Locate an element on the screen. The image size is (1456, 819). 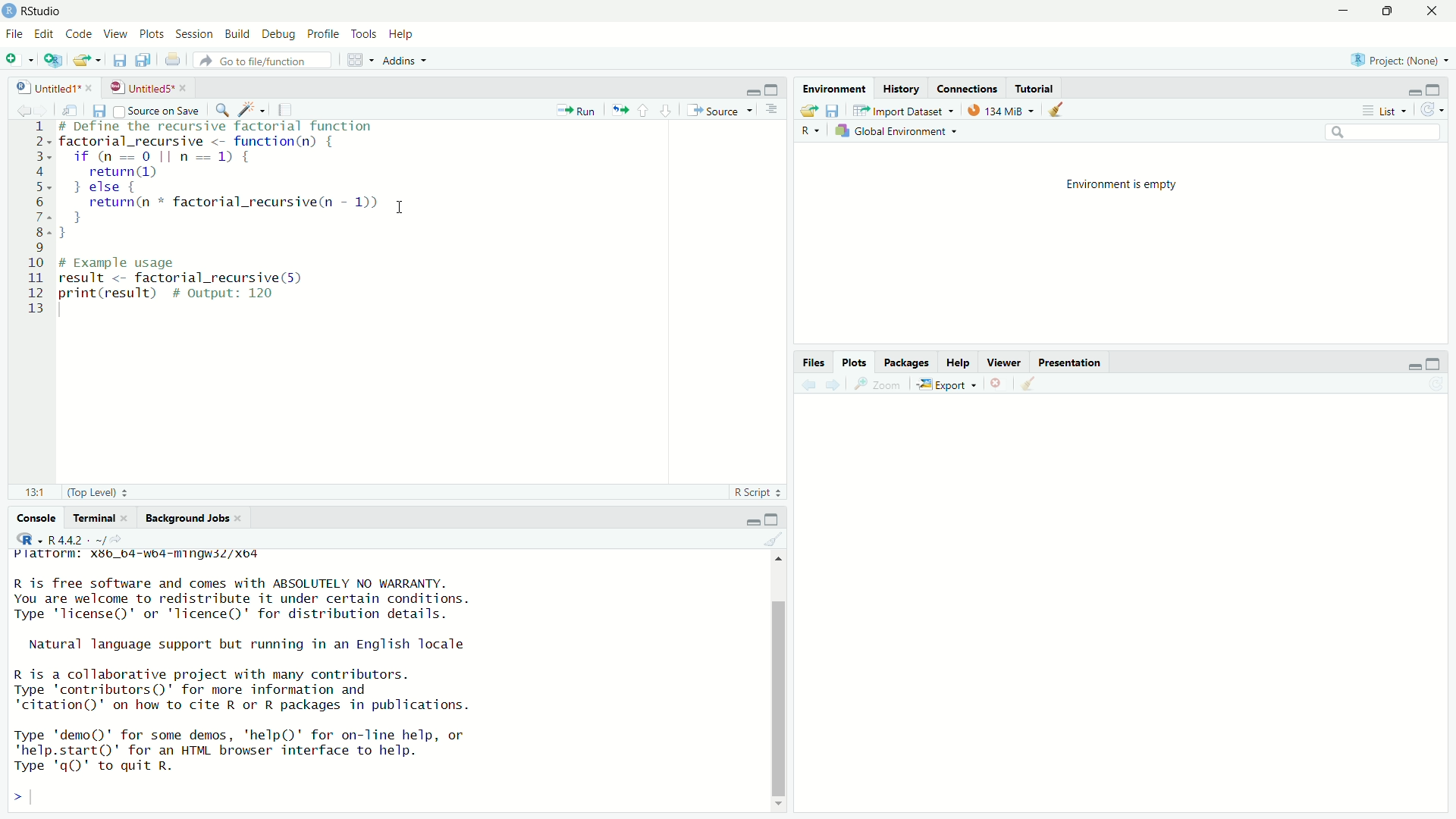
Go to previous section/chunk (Ctrl + PgUp) is located at coordinates (645, 109).